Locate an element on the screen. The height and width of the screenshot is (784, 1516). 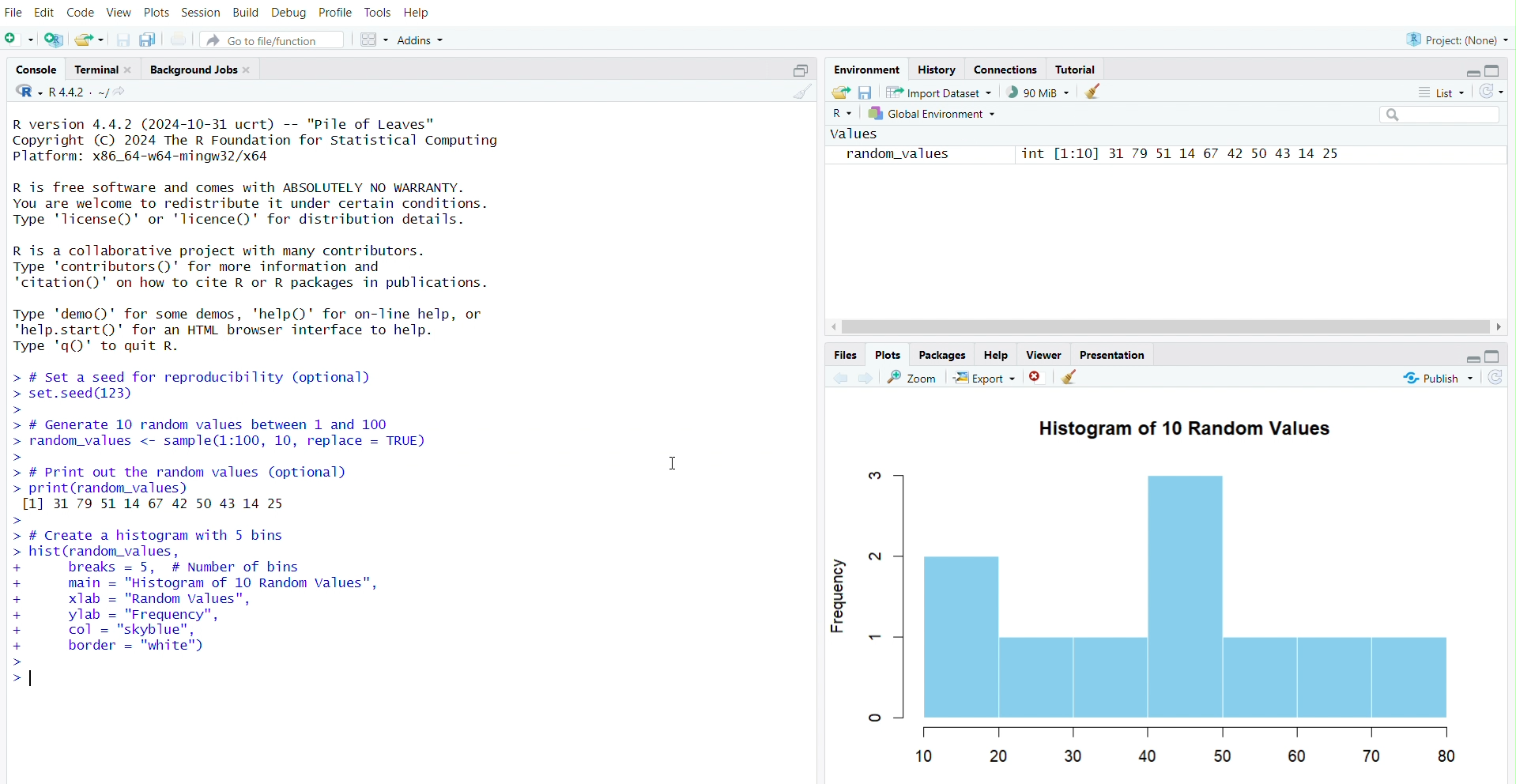
R 4.4.2 . ~/ is located at coordinates (81, 92).